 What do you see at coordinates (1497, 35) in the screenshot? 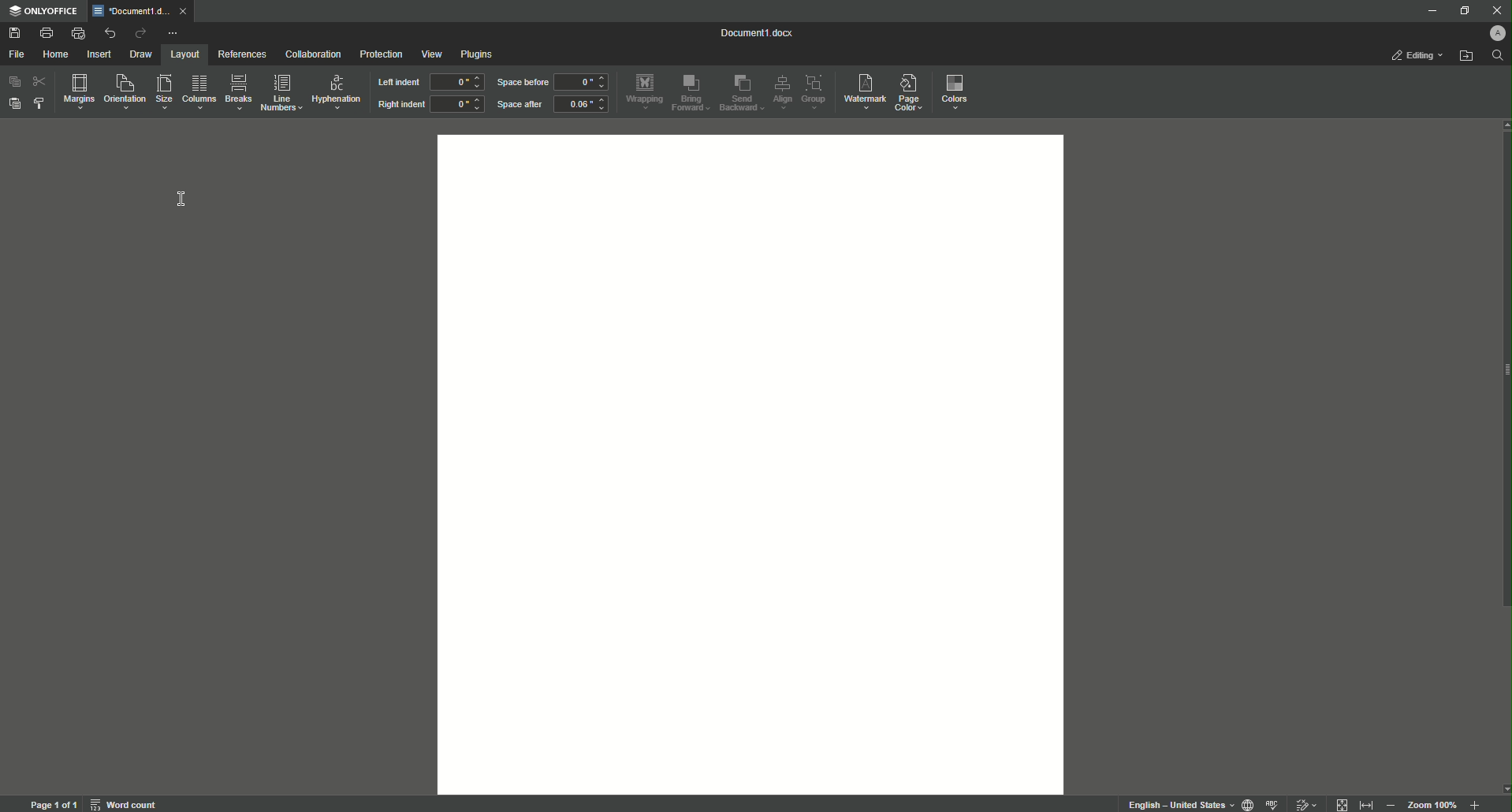
I see `Profile` at bounding box center [1497, 35].